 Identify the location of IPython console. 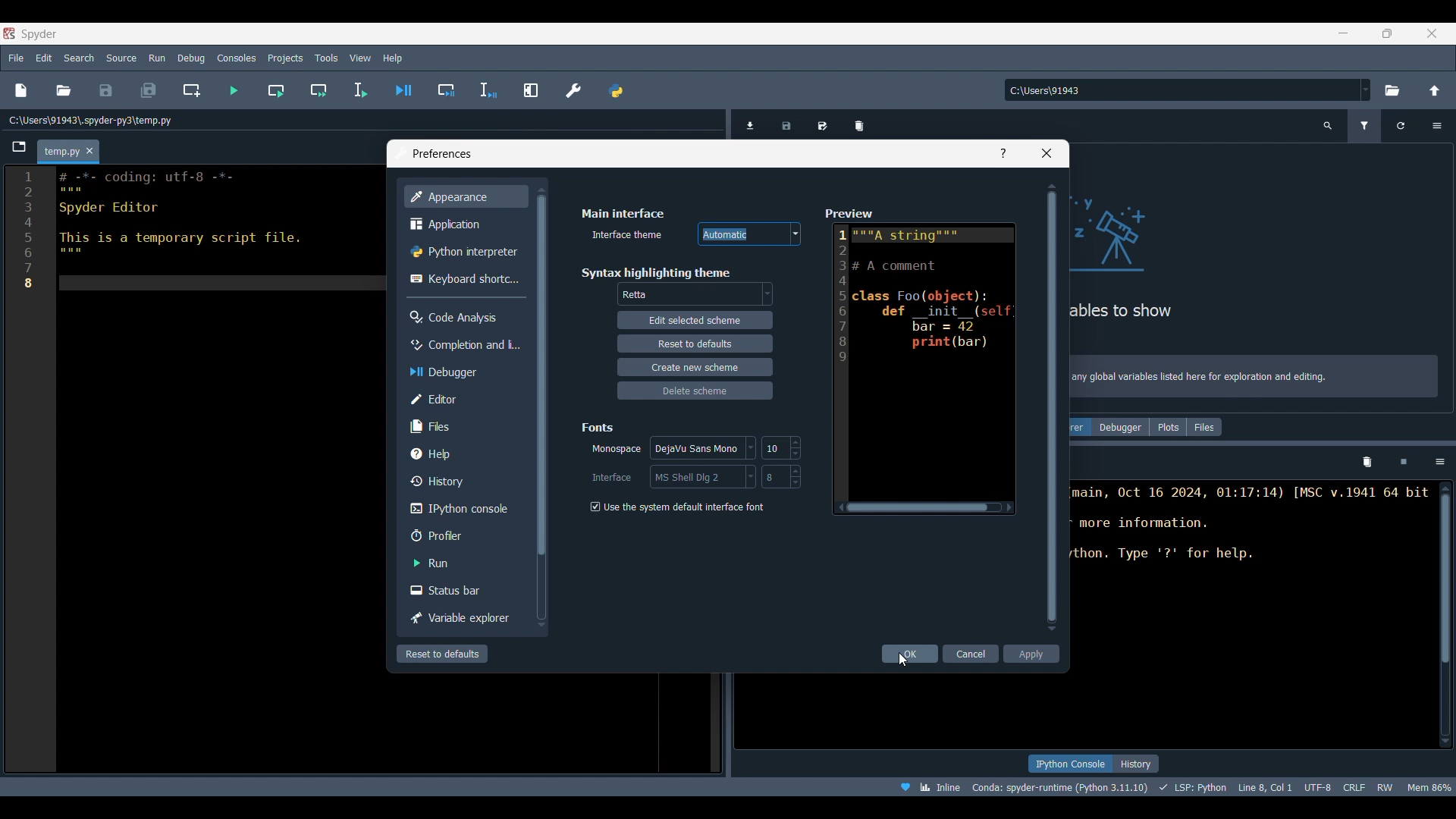
(1069, 764).